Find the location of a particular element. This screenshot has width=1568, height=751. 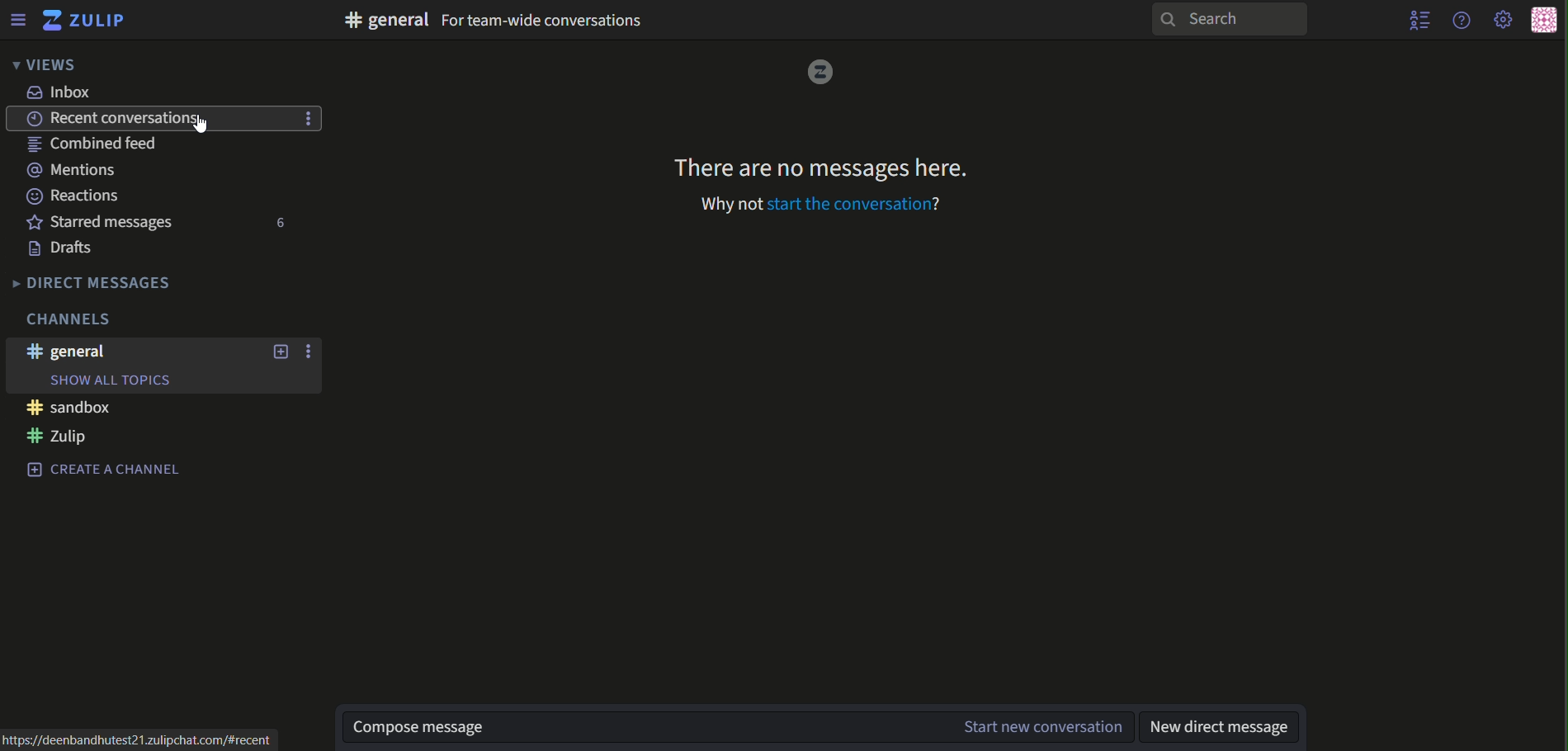

text is located at coordinates (67, 352).